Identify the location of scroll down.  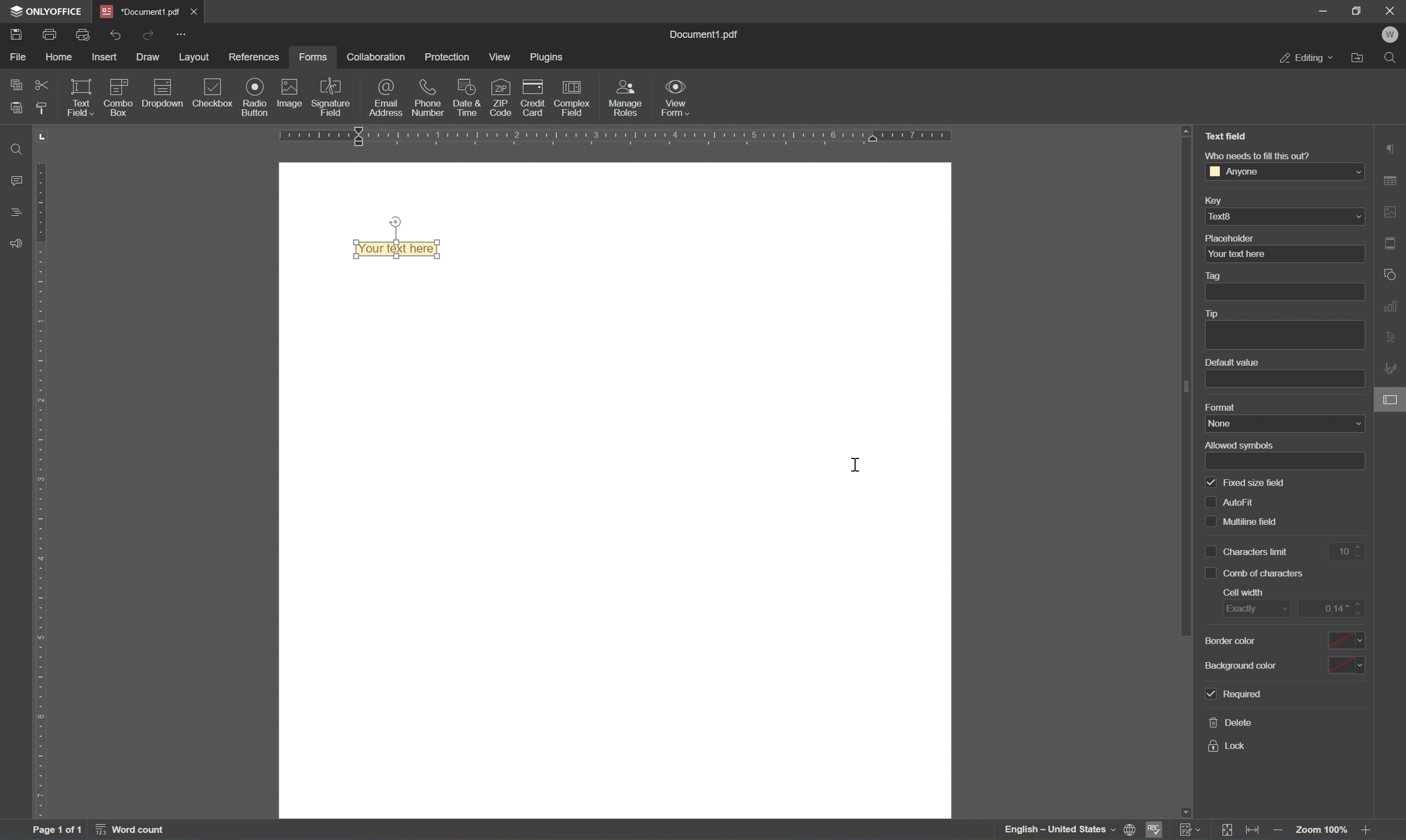
(1366, 813).